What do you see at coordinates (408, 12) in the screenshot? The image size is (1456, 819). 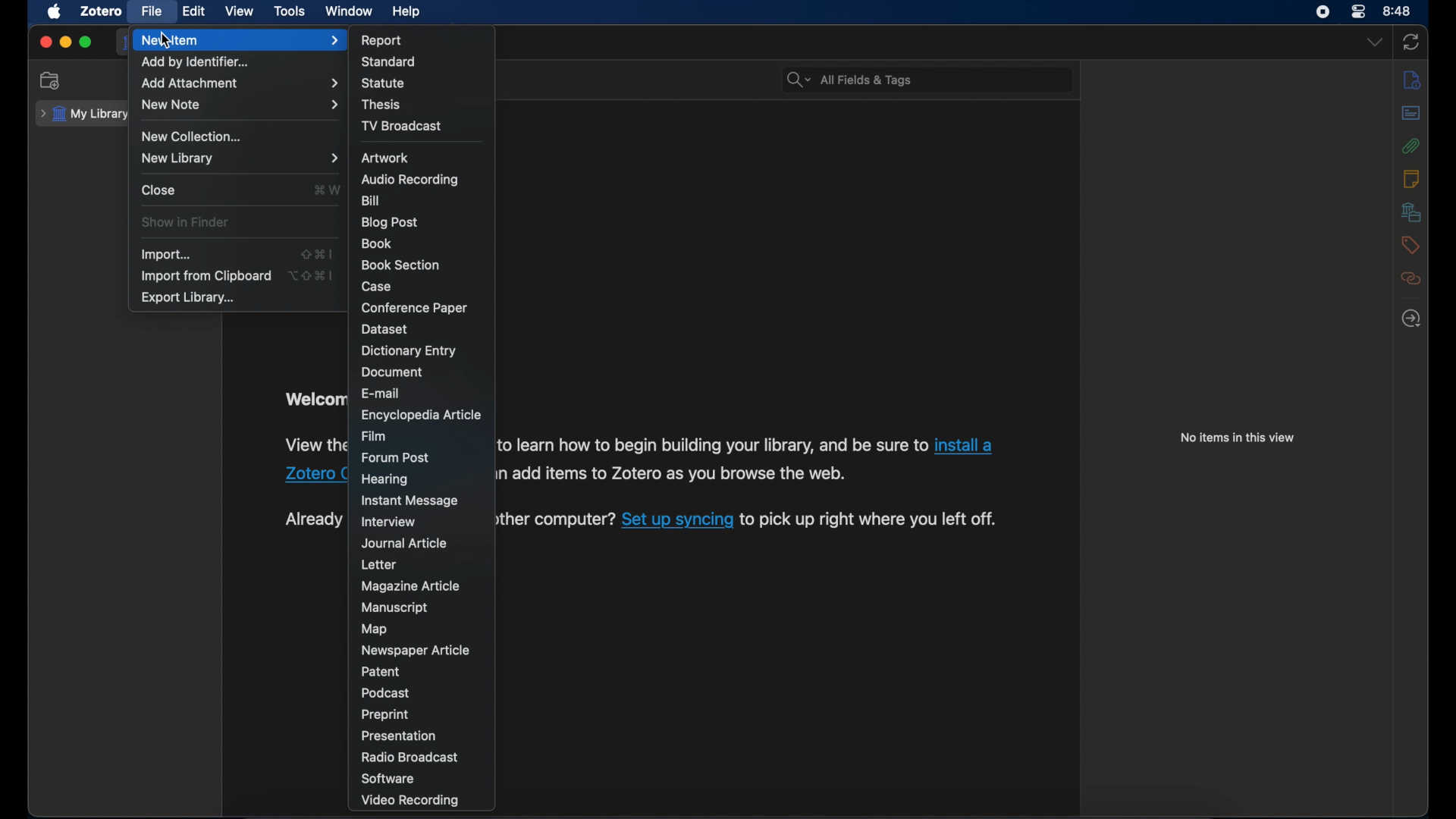 I see `help` at bounding box center [408, 12].